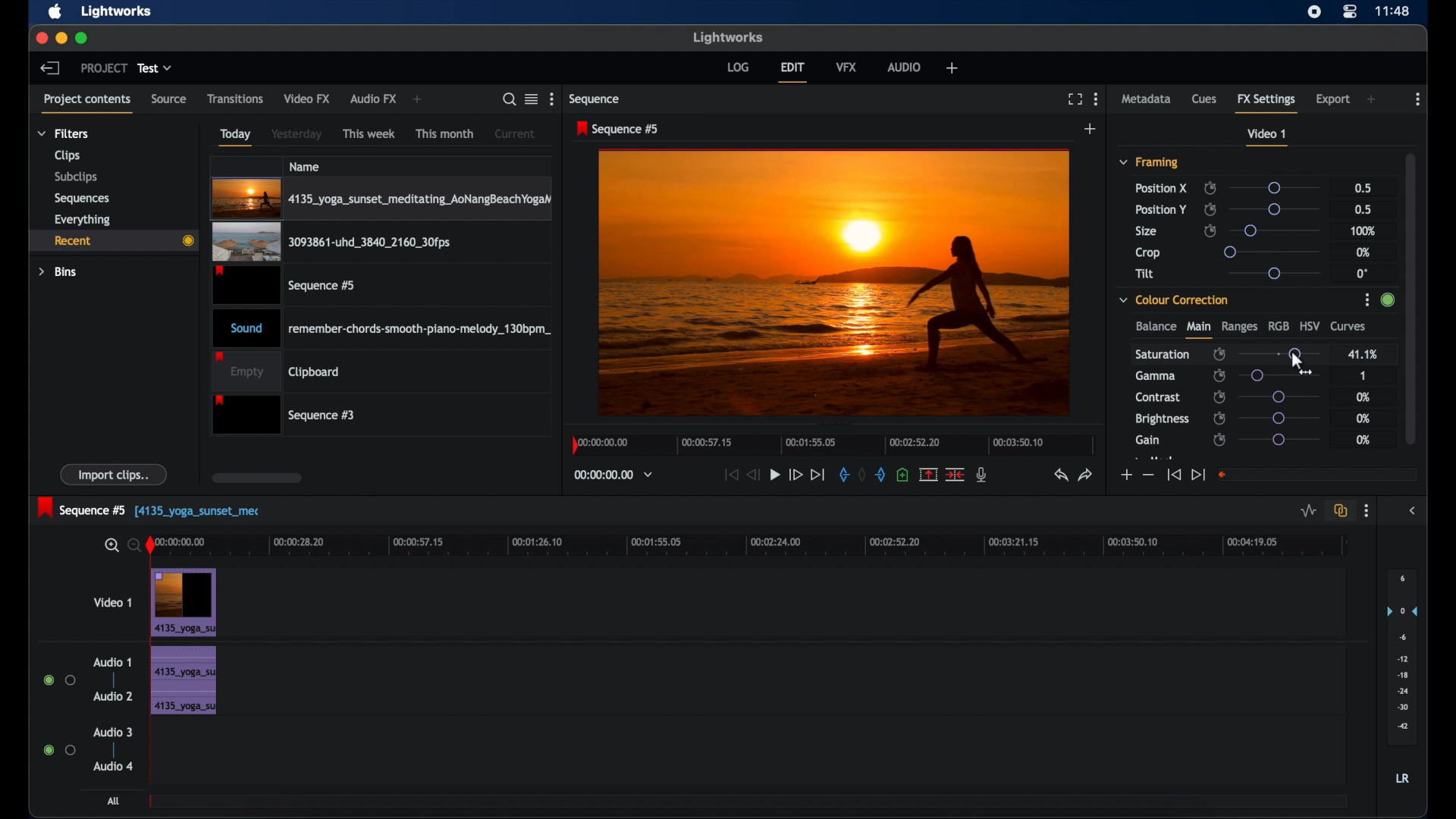 This screenshot has height=819, width=1456. Describe the element at coordinates (419, 100) in the screenshot. I see `add` at that location.